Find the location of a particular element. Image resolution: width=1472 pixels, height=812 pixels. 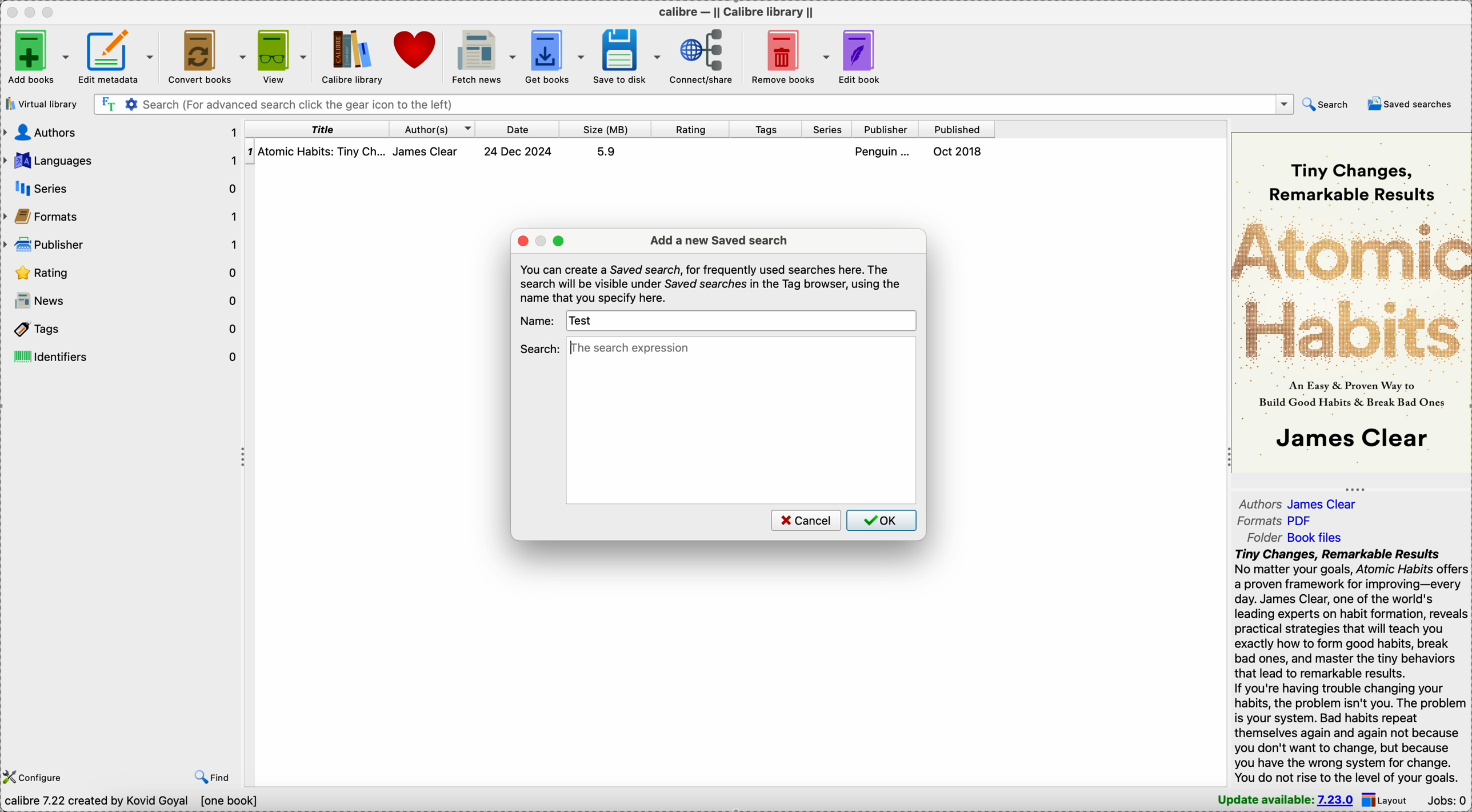

james clear is located at coordinates (432, 151).